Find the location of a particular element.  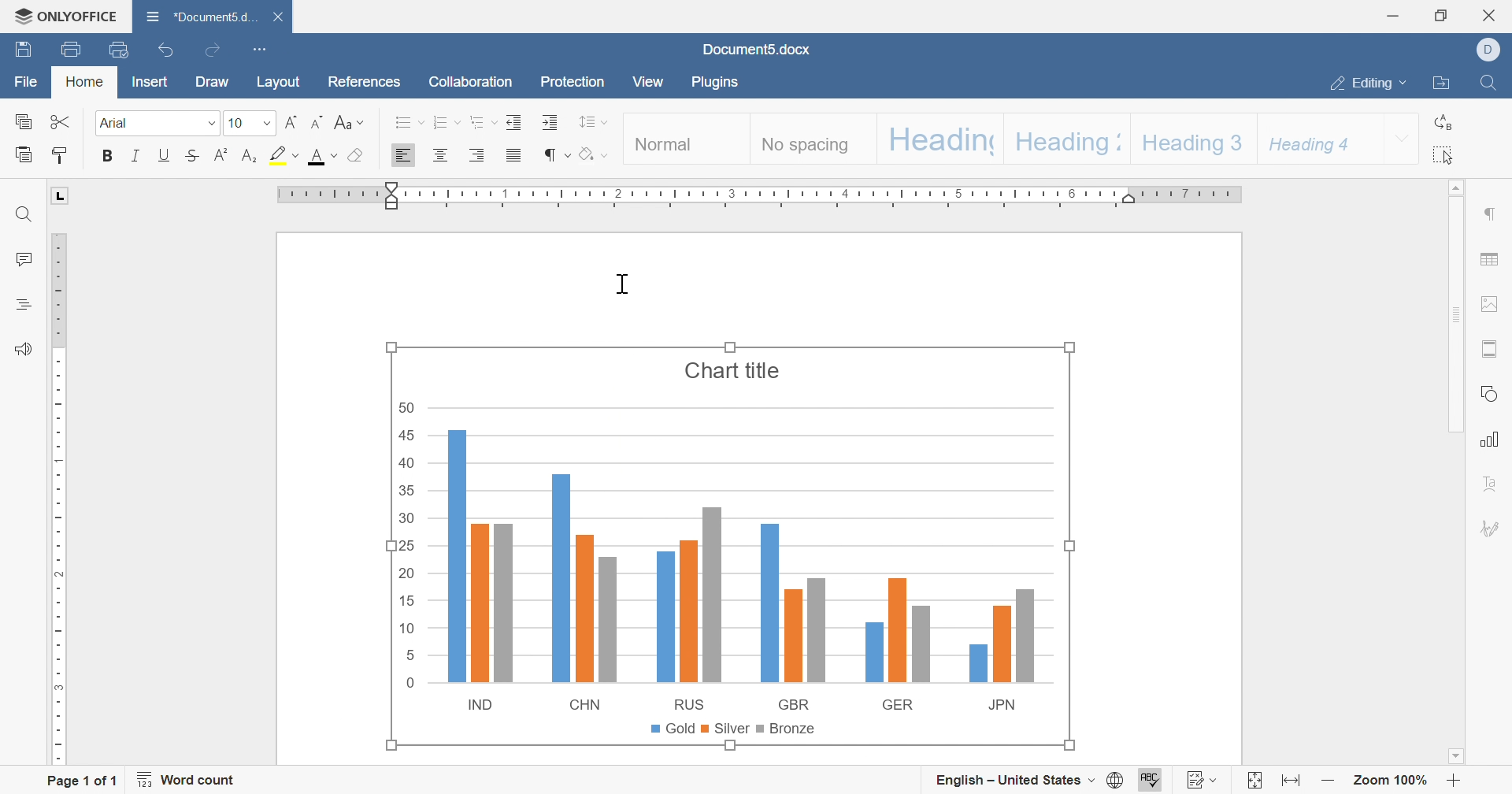

*document... is located at coordinates (198, 16).